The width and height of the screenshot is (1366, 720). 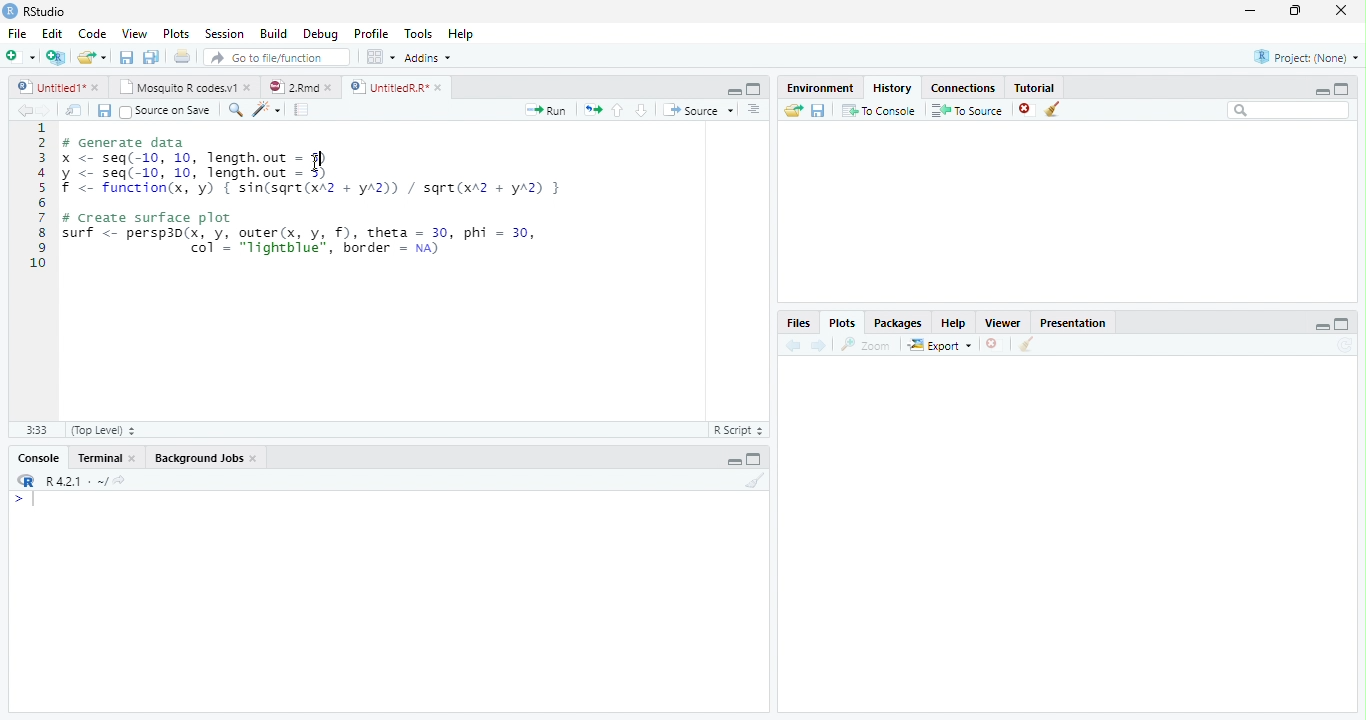 I want to click on Save history into a file, so click(x=818, y=110).